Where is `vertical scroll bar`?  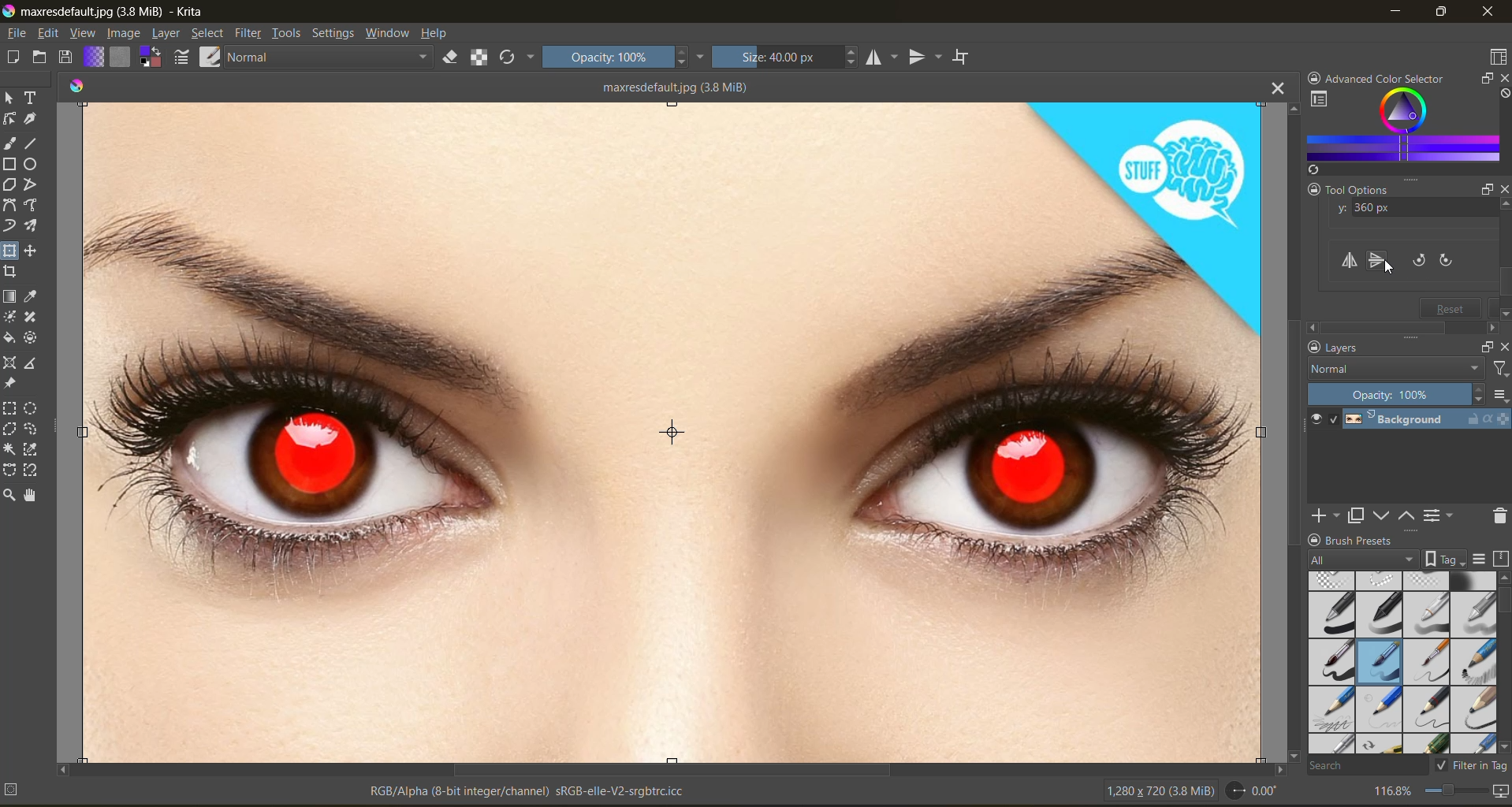 vertical scroll bar is located at coordinates (1291, 431).